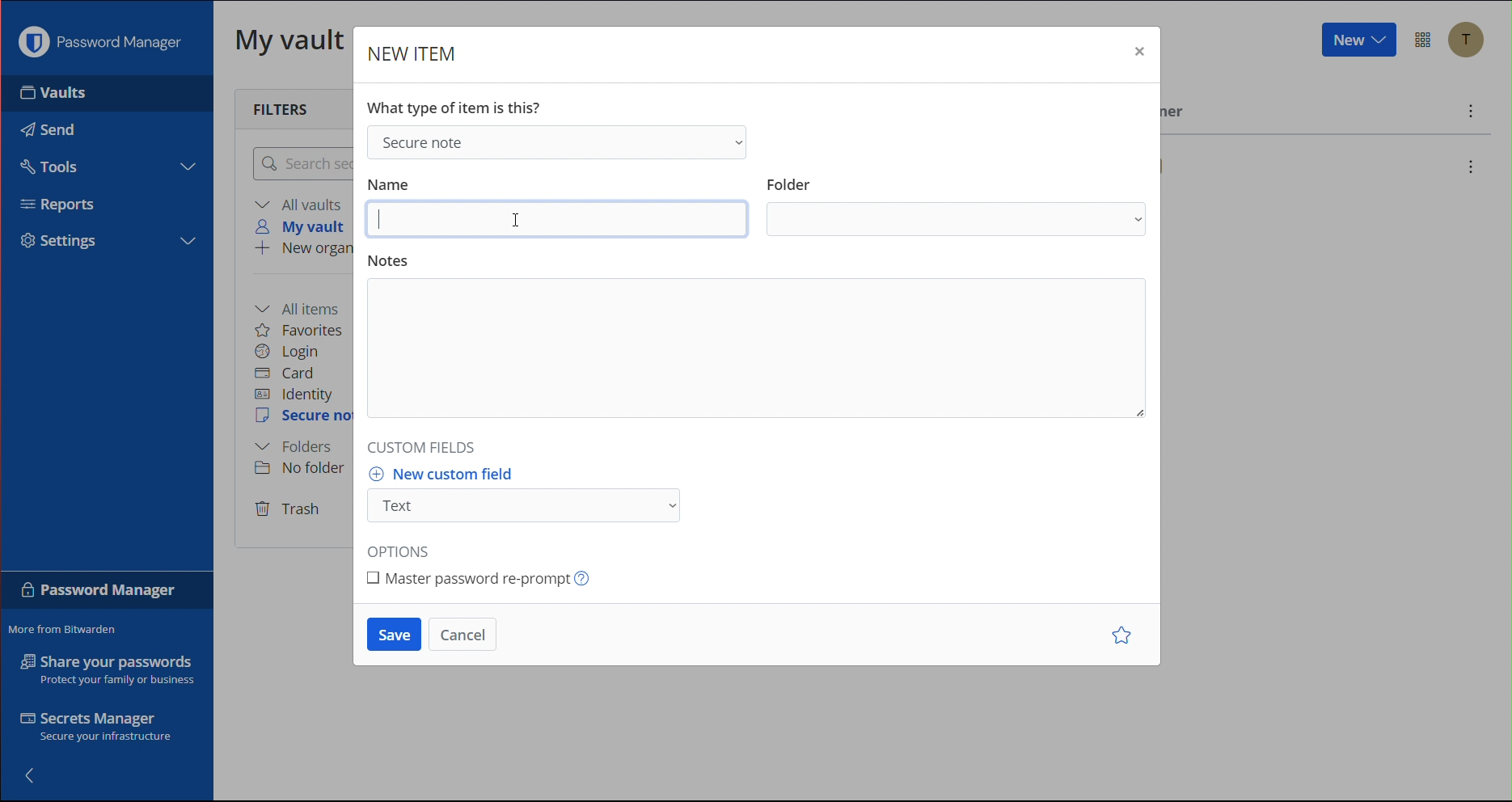 The image size is (1512, 802). What do you see at coordinates (44, 125) in the screenshot?
I see `Send` at bounding box center [44, 125].